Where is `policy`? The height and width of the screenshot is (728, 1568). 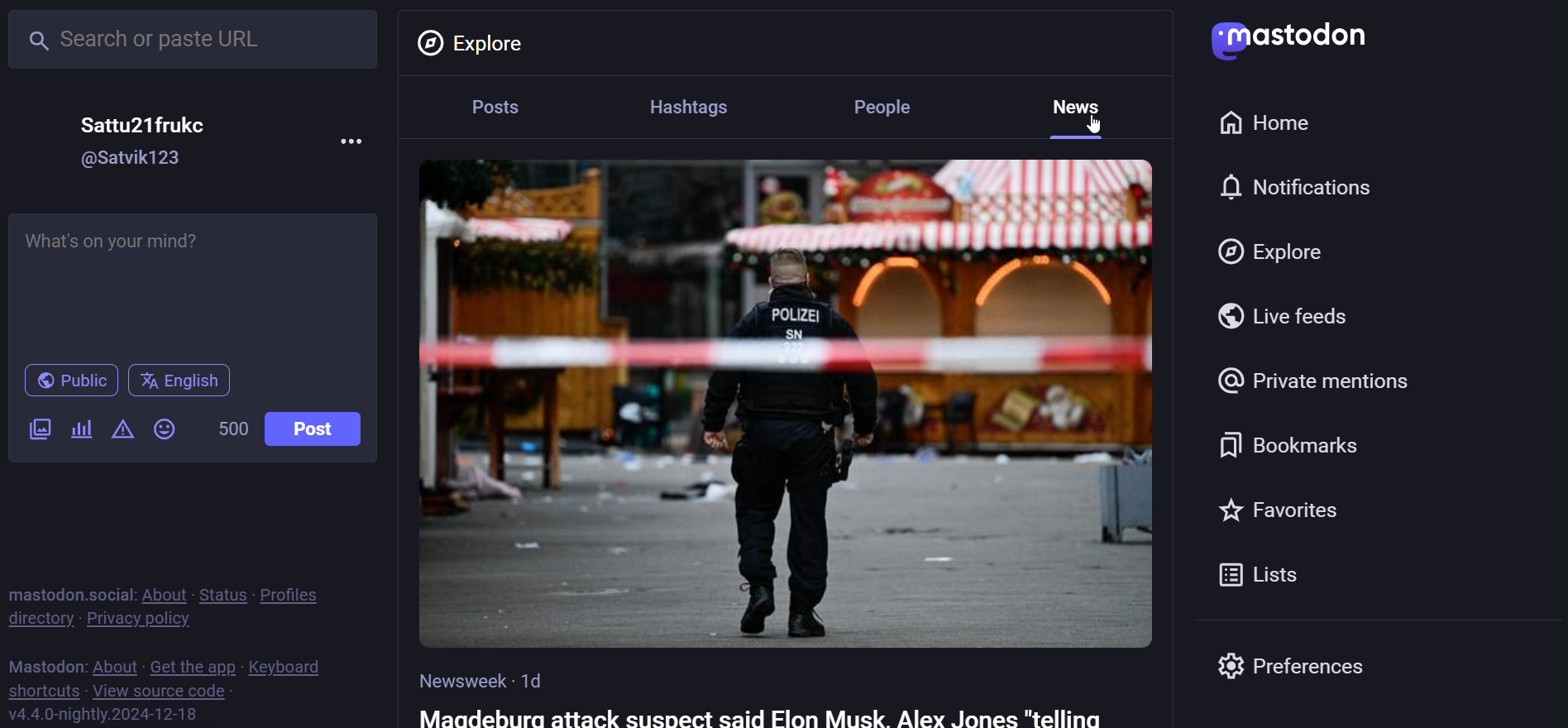 policy is located at coordinates (296, 596).